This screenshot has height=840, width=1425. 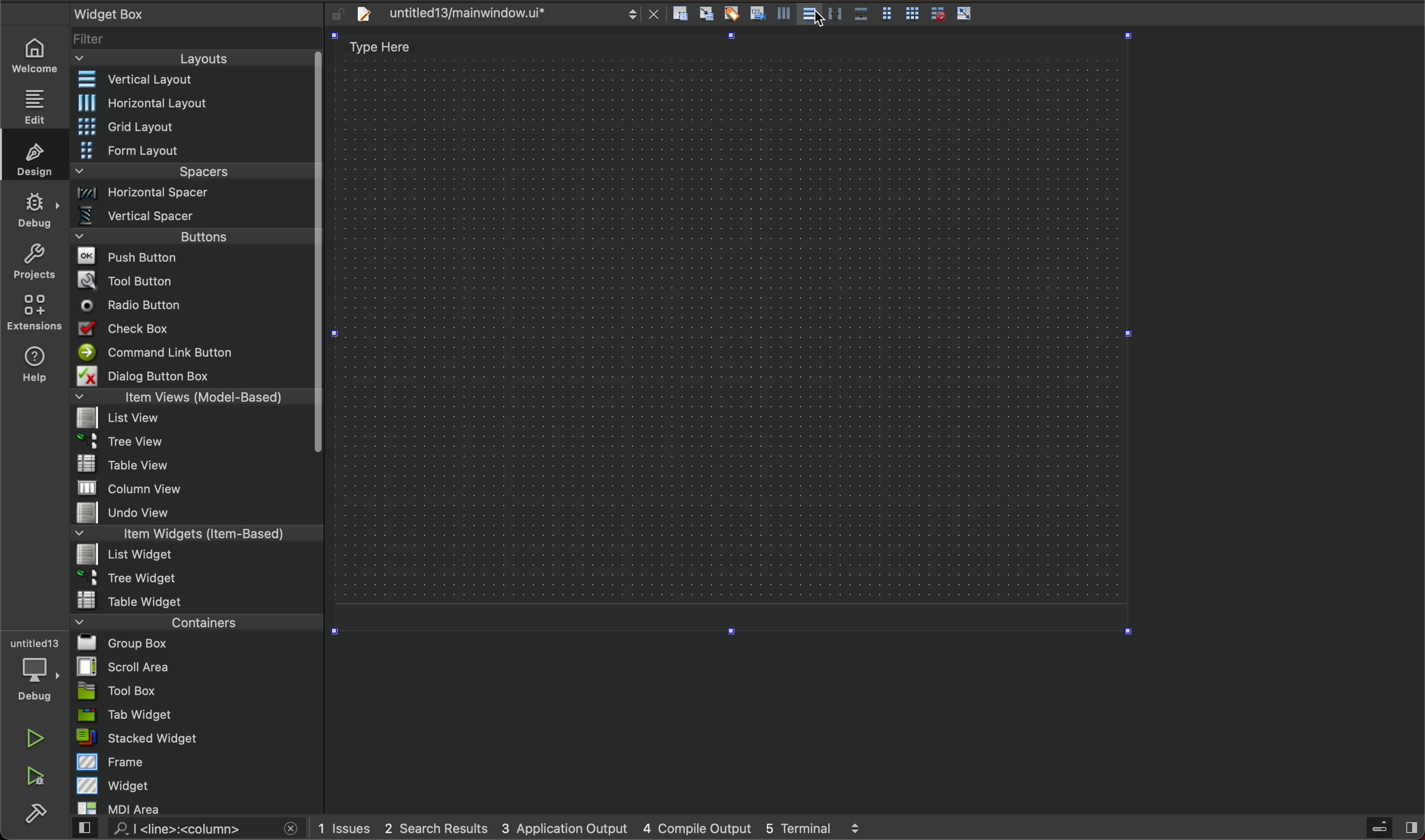 I want to click on logs, so click(x=602, y=828).